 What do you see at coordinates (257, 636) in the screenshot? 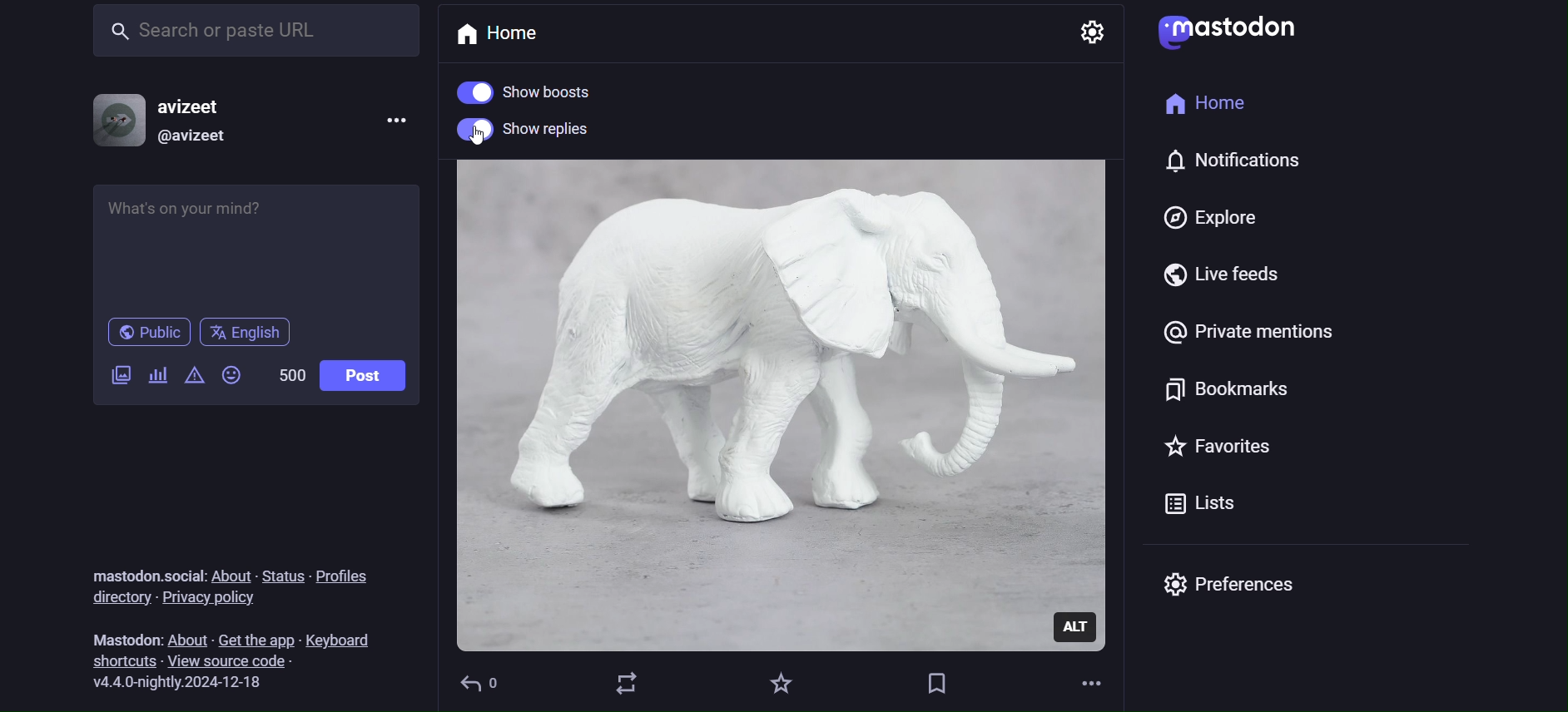
I see `get the app` at bounding box center [257, 636].